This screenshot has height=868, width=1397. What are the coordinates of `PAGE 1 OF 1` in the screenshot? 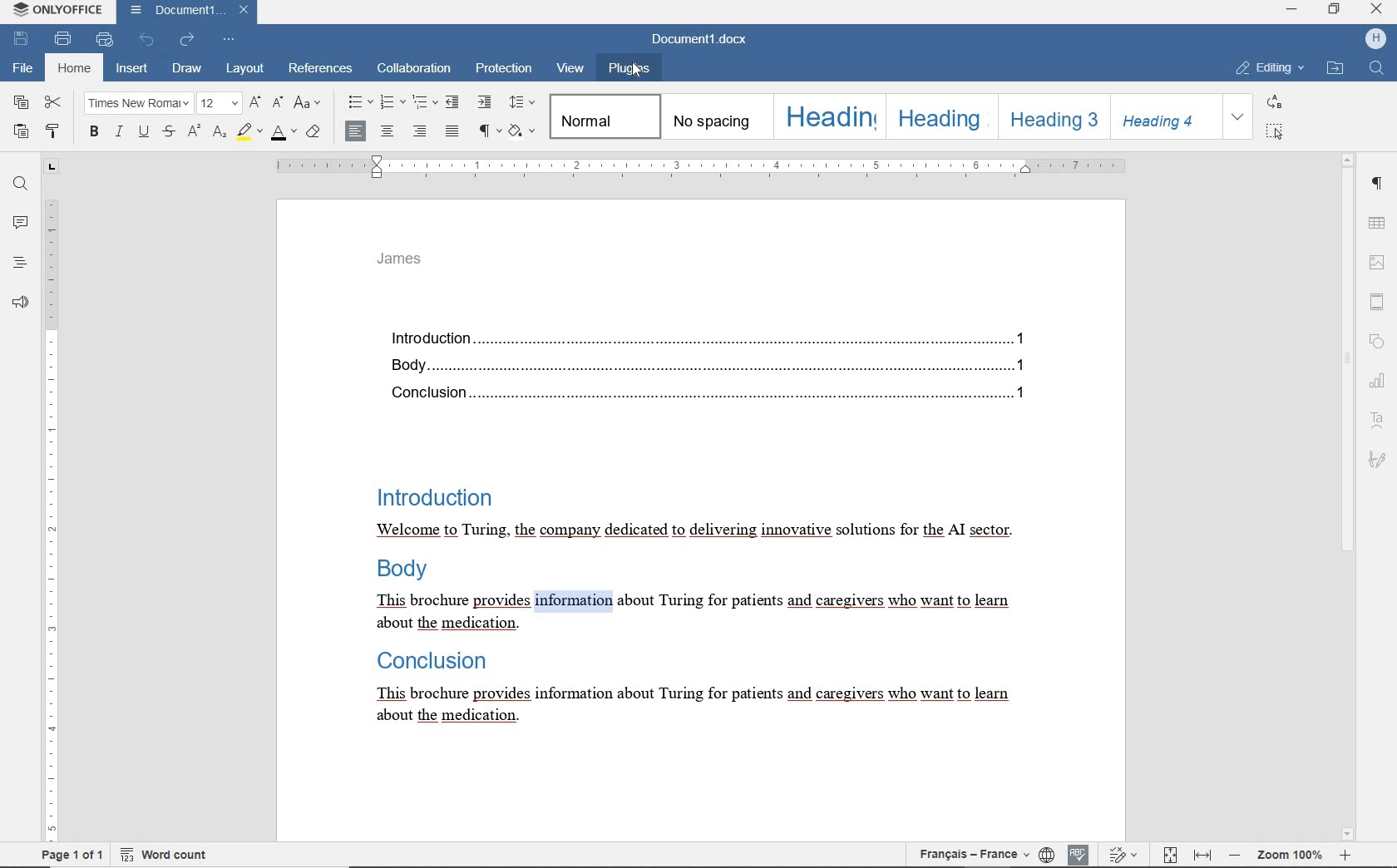 It's located at (74, 856).